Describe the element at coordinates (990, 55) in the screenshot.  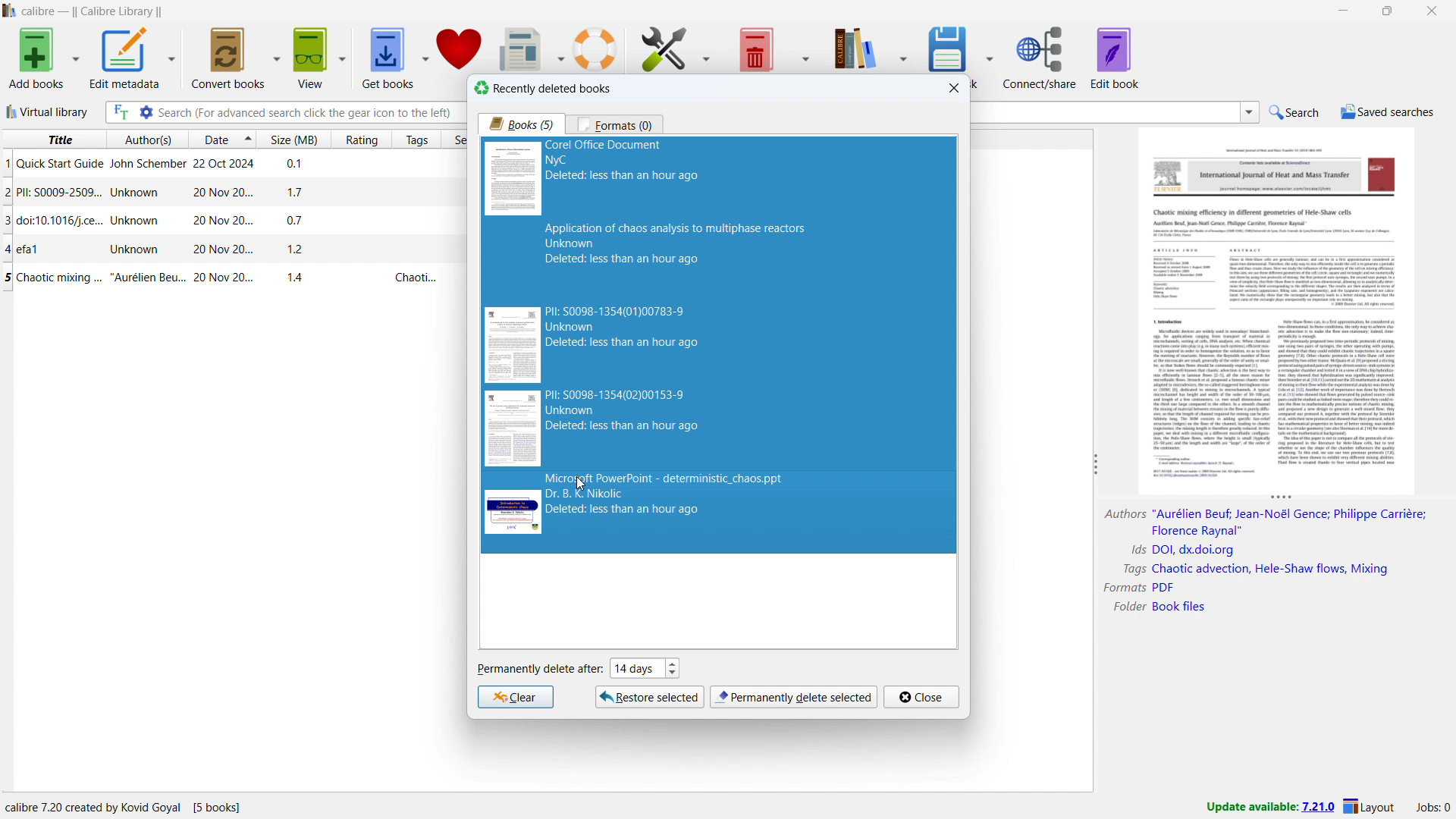
I see `save to disk options` at that location.